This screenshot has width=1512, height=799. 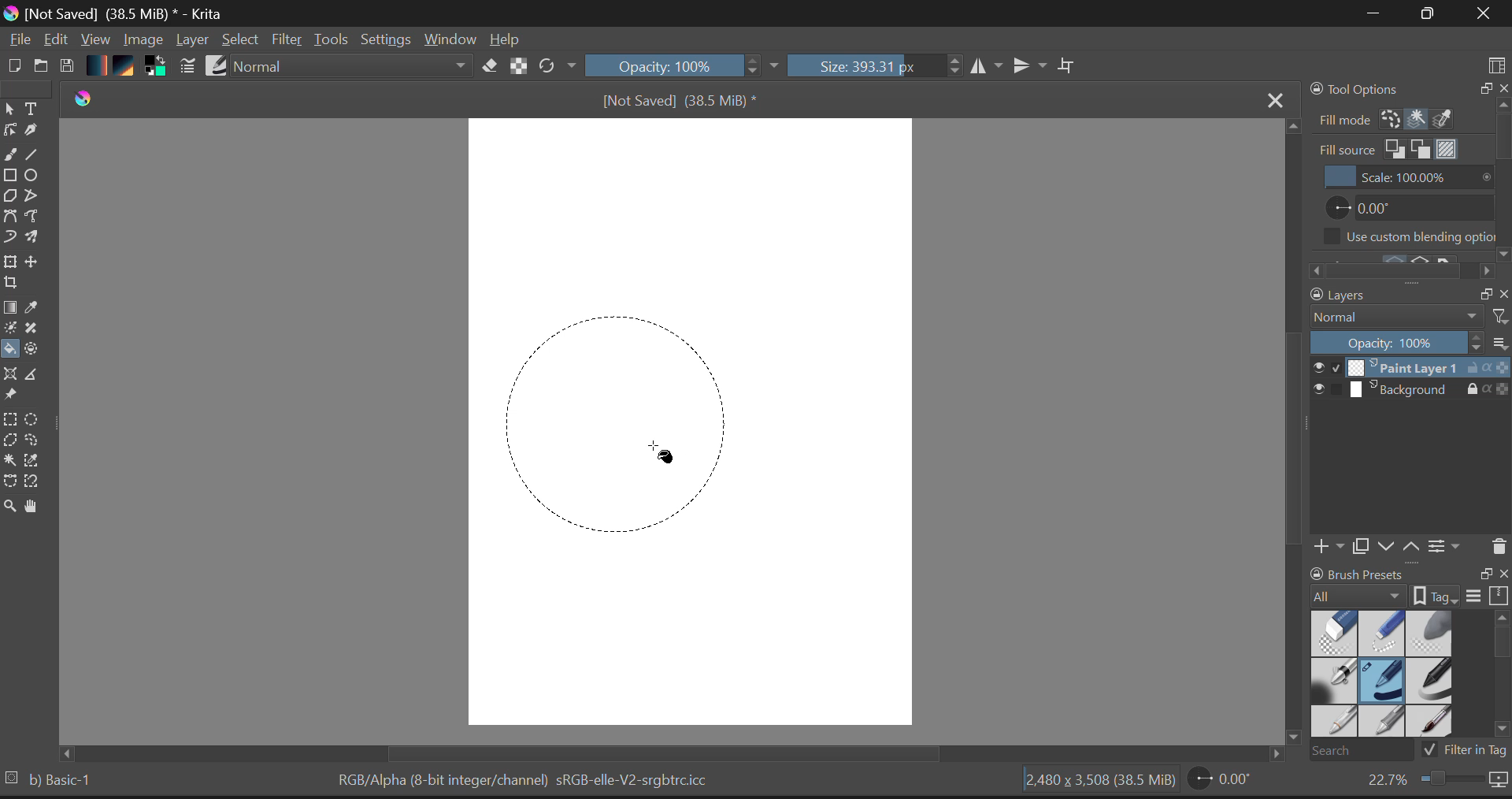 What do you see at coordinates (1496, 60) in the screenshot?
I see `Choose Workspace` at bounding box center [1496, 60].